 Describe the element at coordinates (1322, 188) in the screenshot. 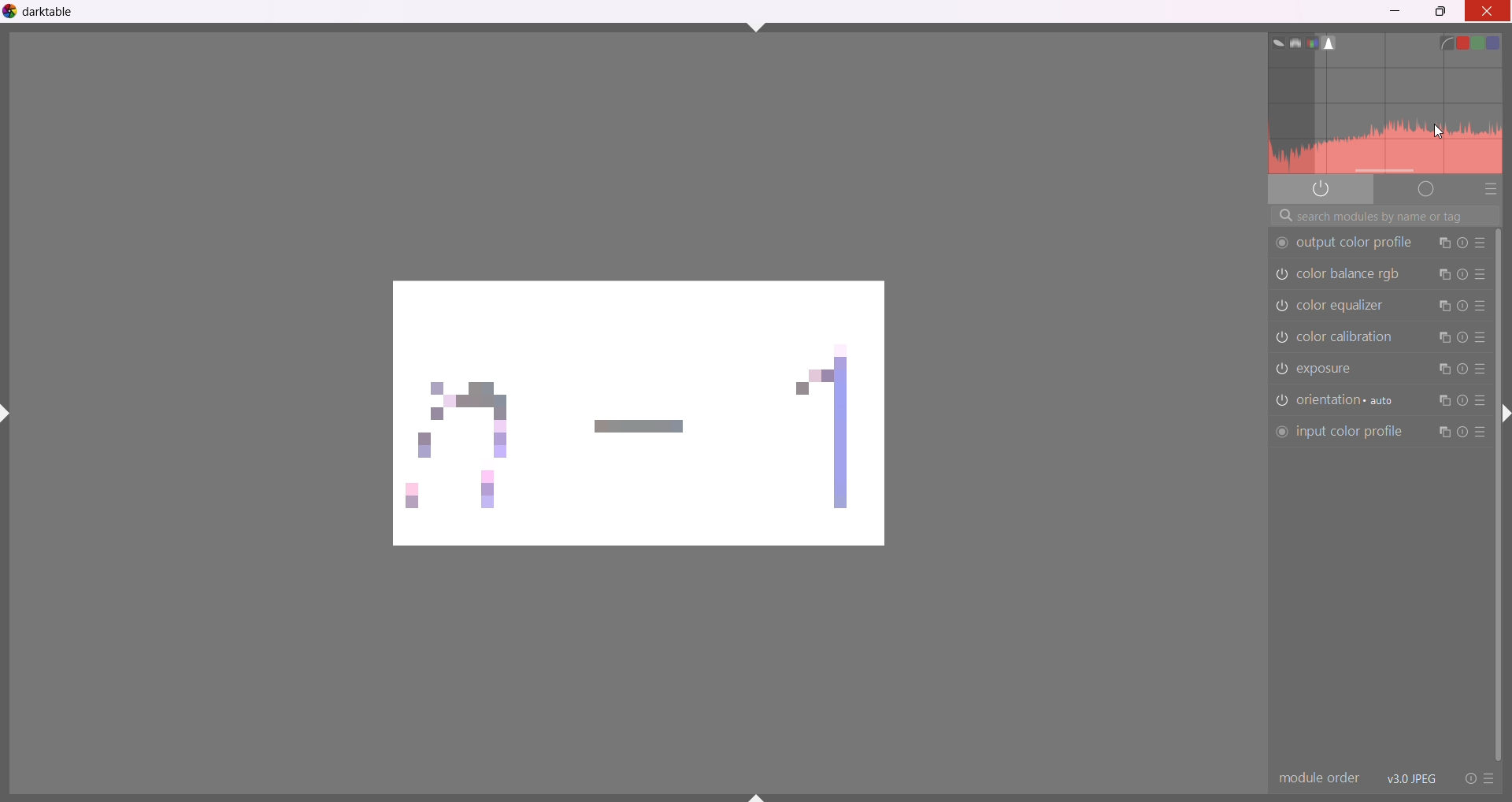

I see `active` at that location.